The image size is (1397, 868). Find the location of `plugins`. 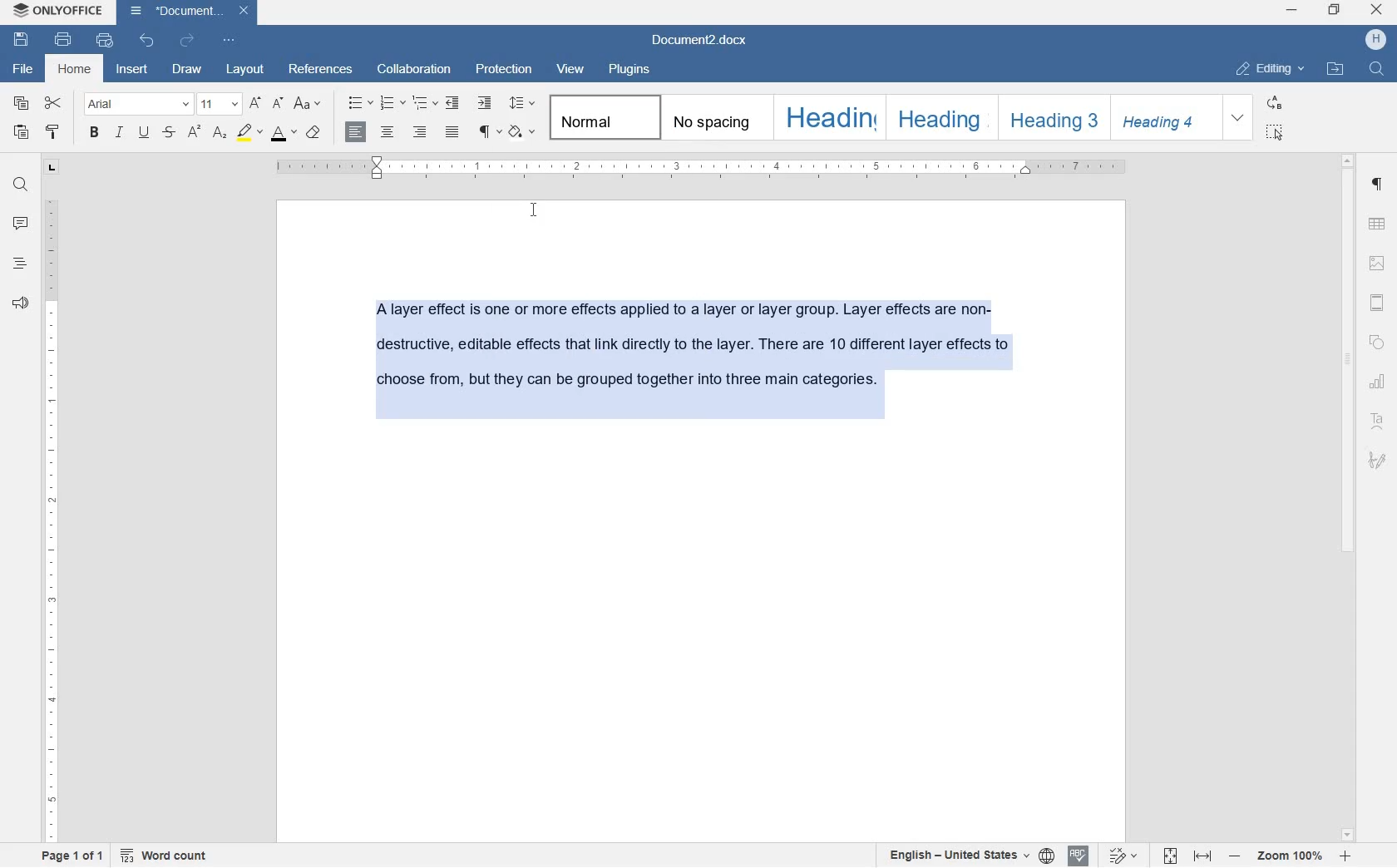

plugins is located at coordinates (635, 72).